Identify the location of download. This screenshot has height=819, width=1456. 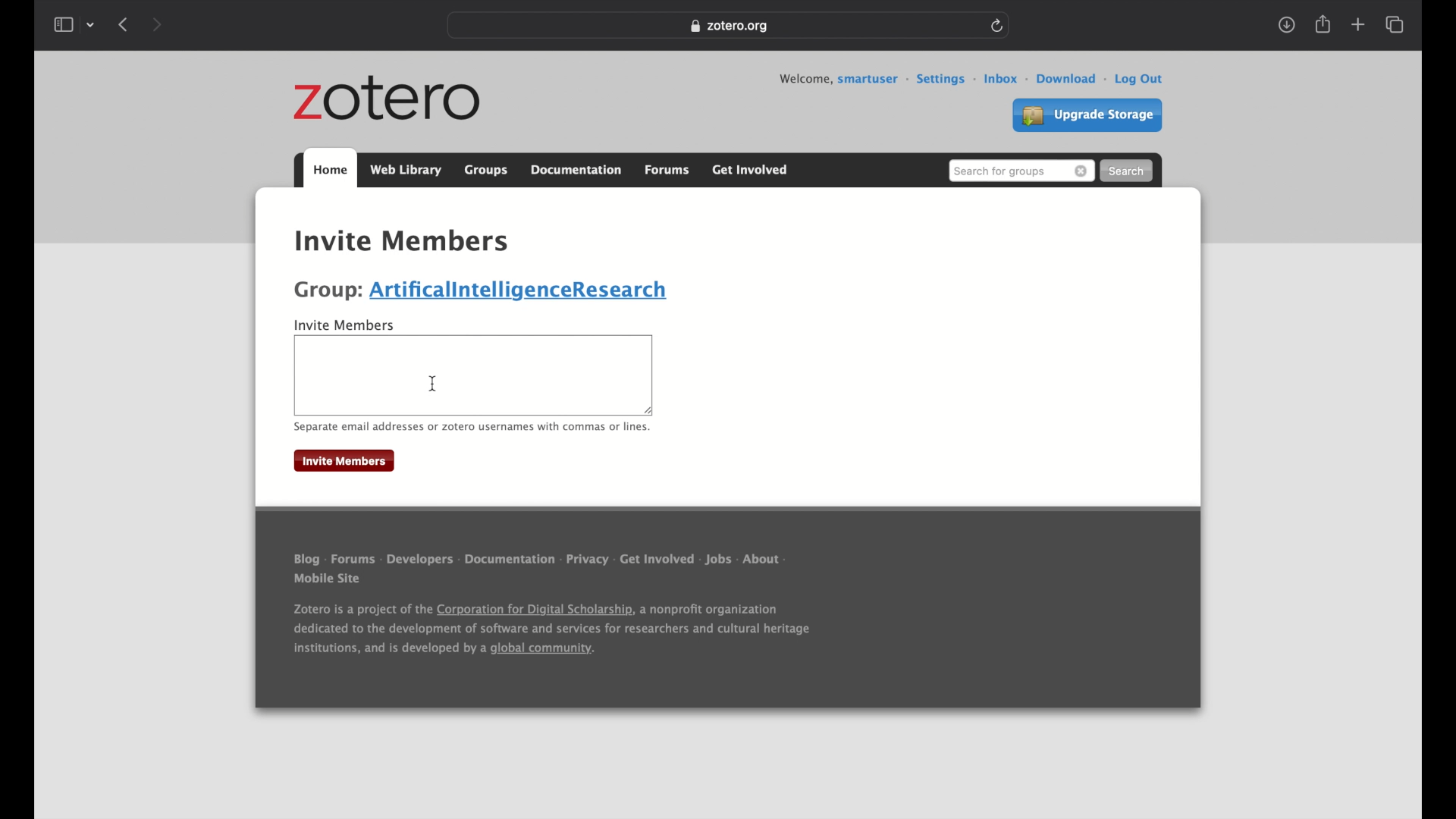
(1073, 80).